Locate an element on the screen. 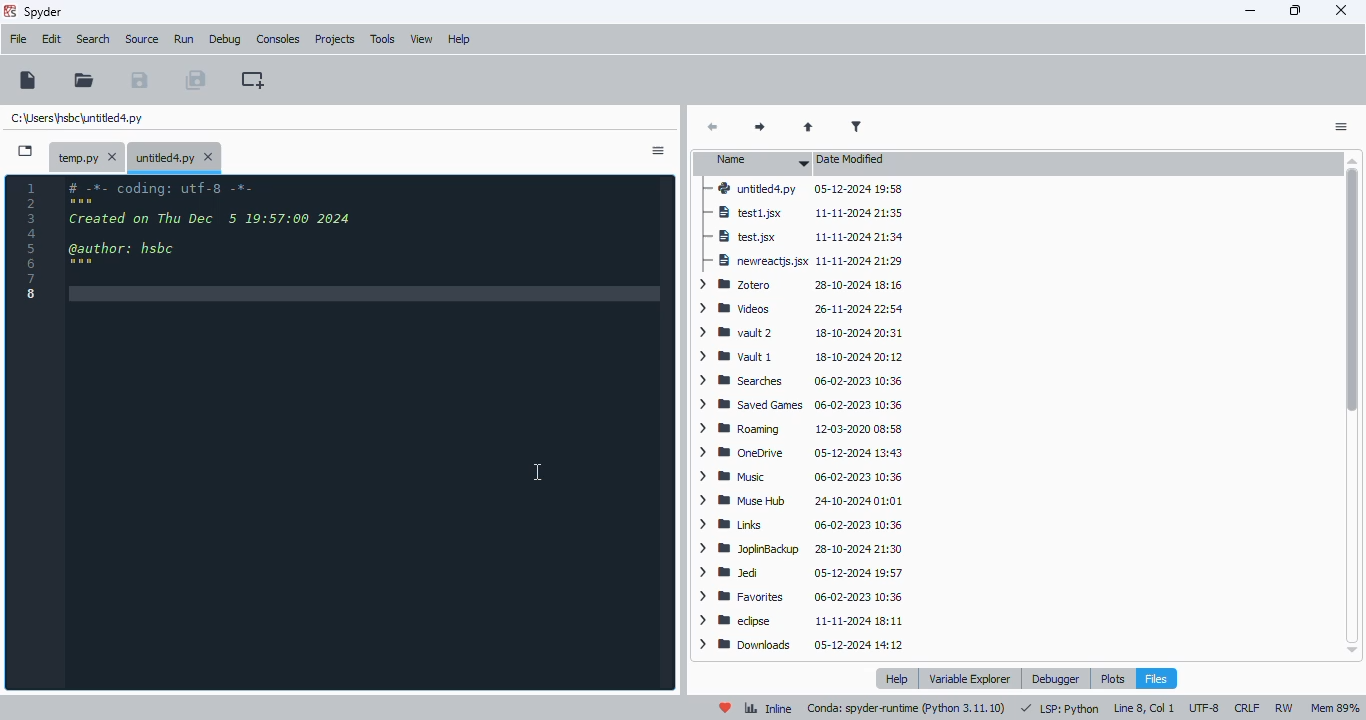 The width and height of the screenshot is (1366, 720). oneDrive is located at coordinates (743, 452).